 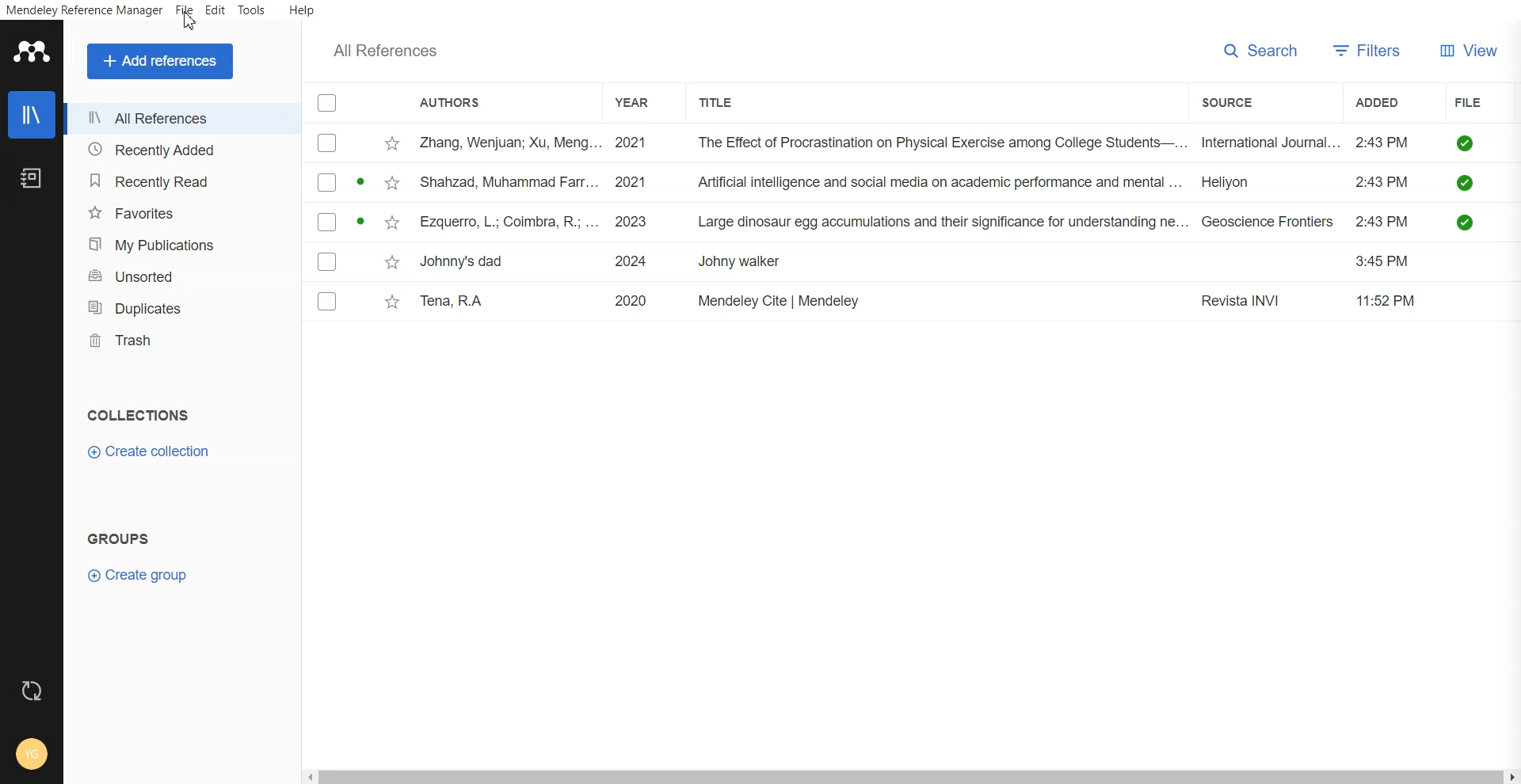 What do you see at coordinates (1382, 182) in the screenshot?
I see `2:43PM` at bounding box center [1382, 182].